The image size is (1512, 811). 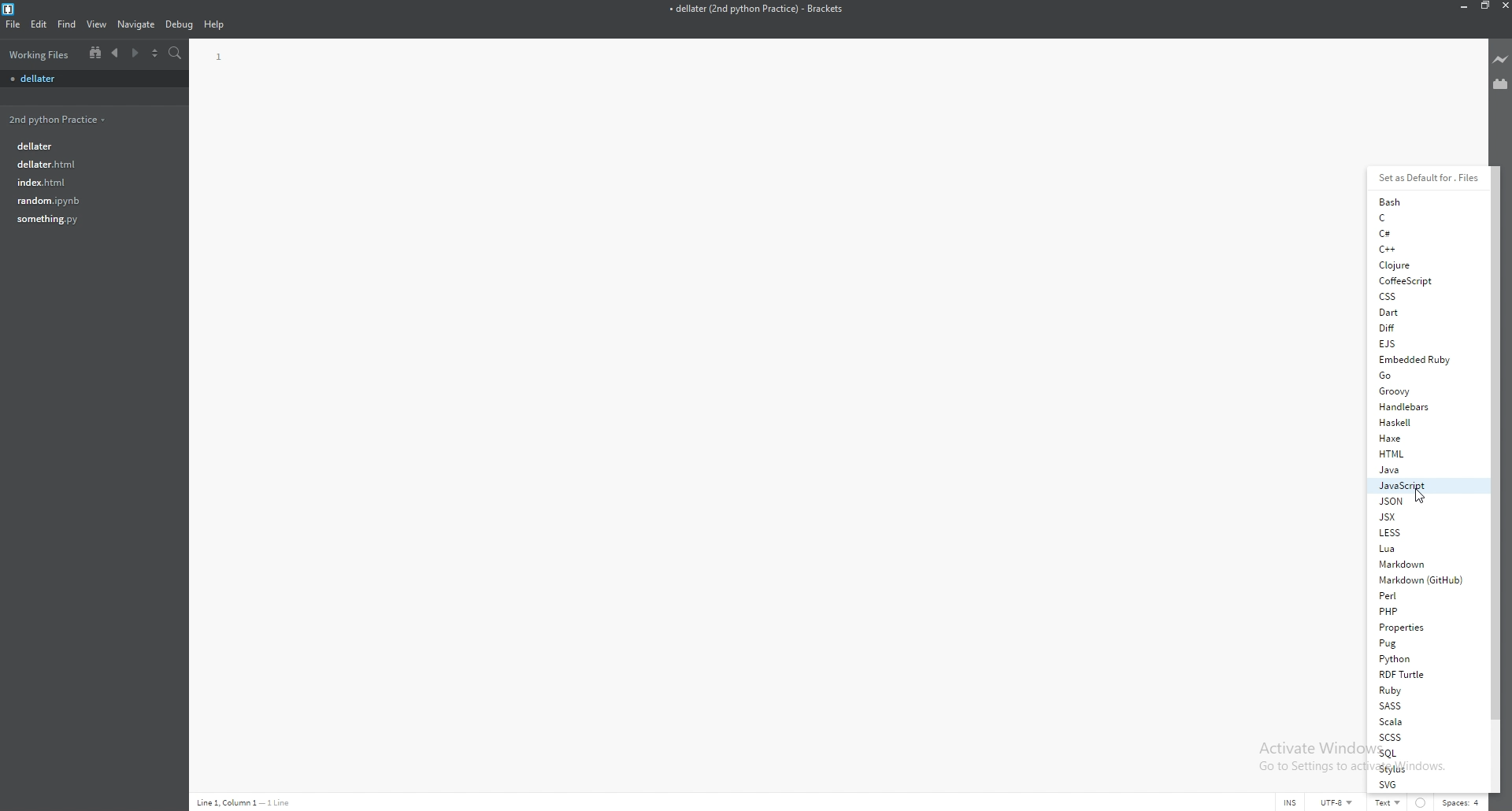 I want to click on groovy, so click(x=1422, y=391).